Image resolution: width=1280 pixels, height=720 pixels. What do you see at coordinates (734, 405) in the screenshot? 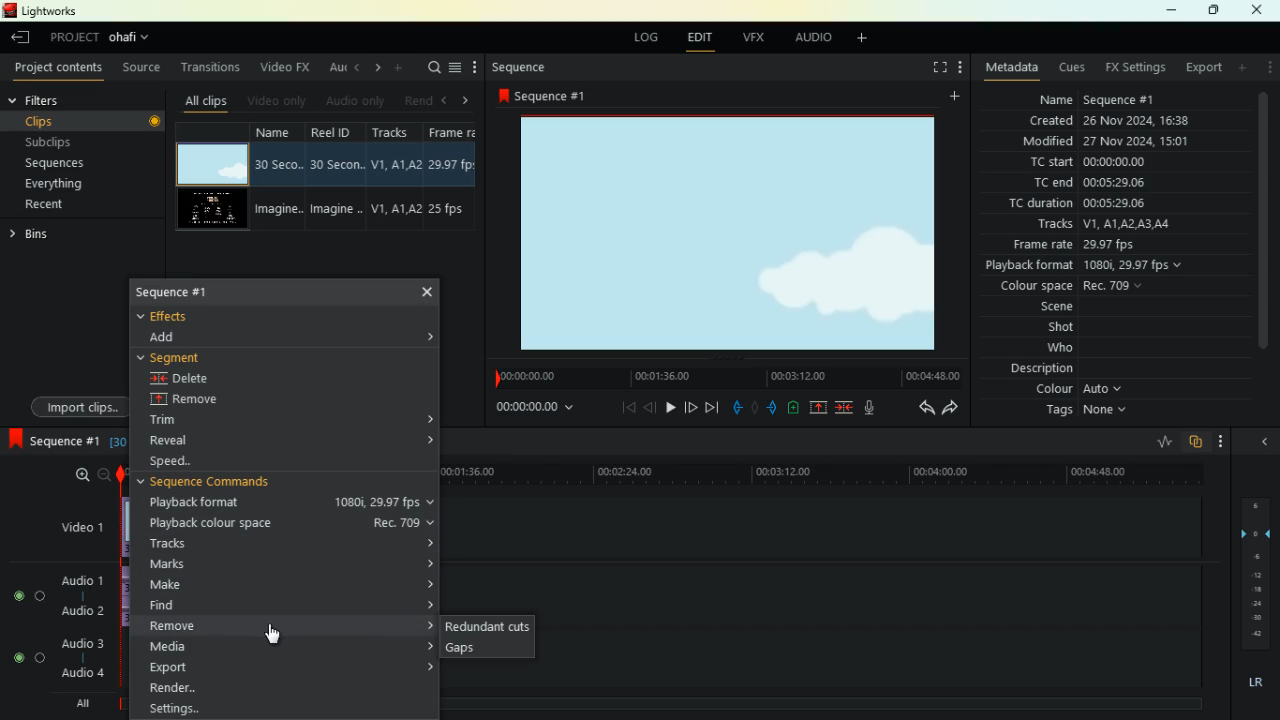
I see `pull` at bounding box center [734, 405].